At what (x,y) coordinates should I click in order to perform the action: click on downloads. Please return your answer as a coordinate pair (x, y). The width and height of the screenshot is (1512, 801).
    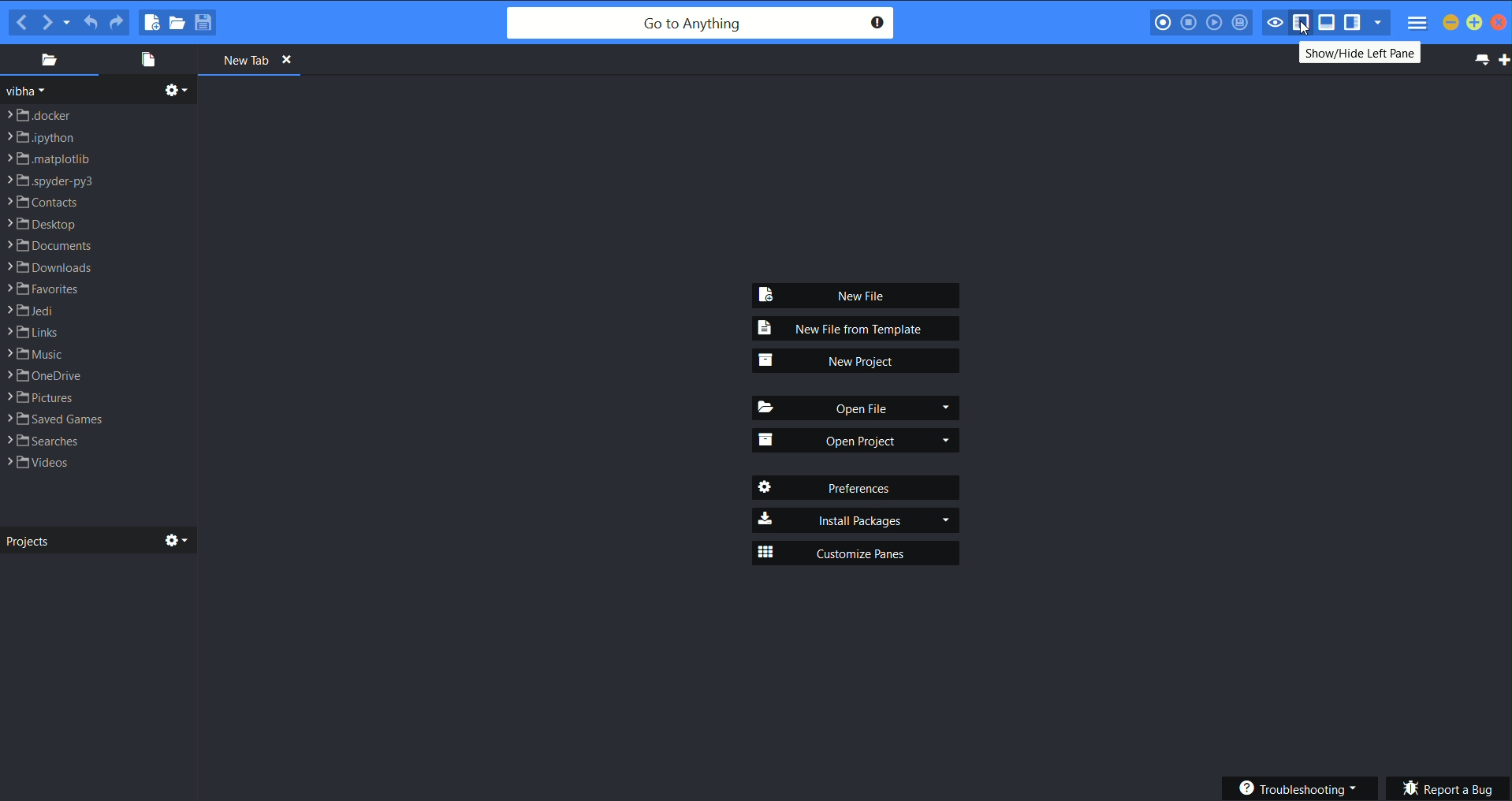
    Looking at the image, I should click on (50, 267).